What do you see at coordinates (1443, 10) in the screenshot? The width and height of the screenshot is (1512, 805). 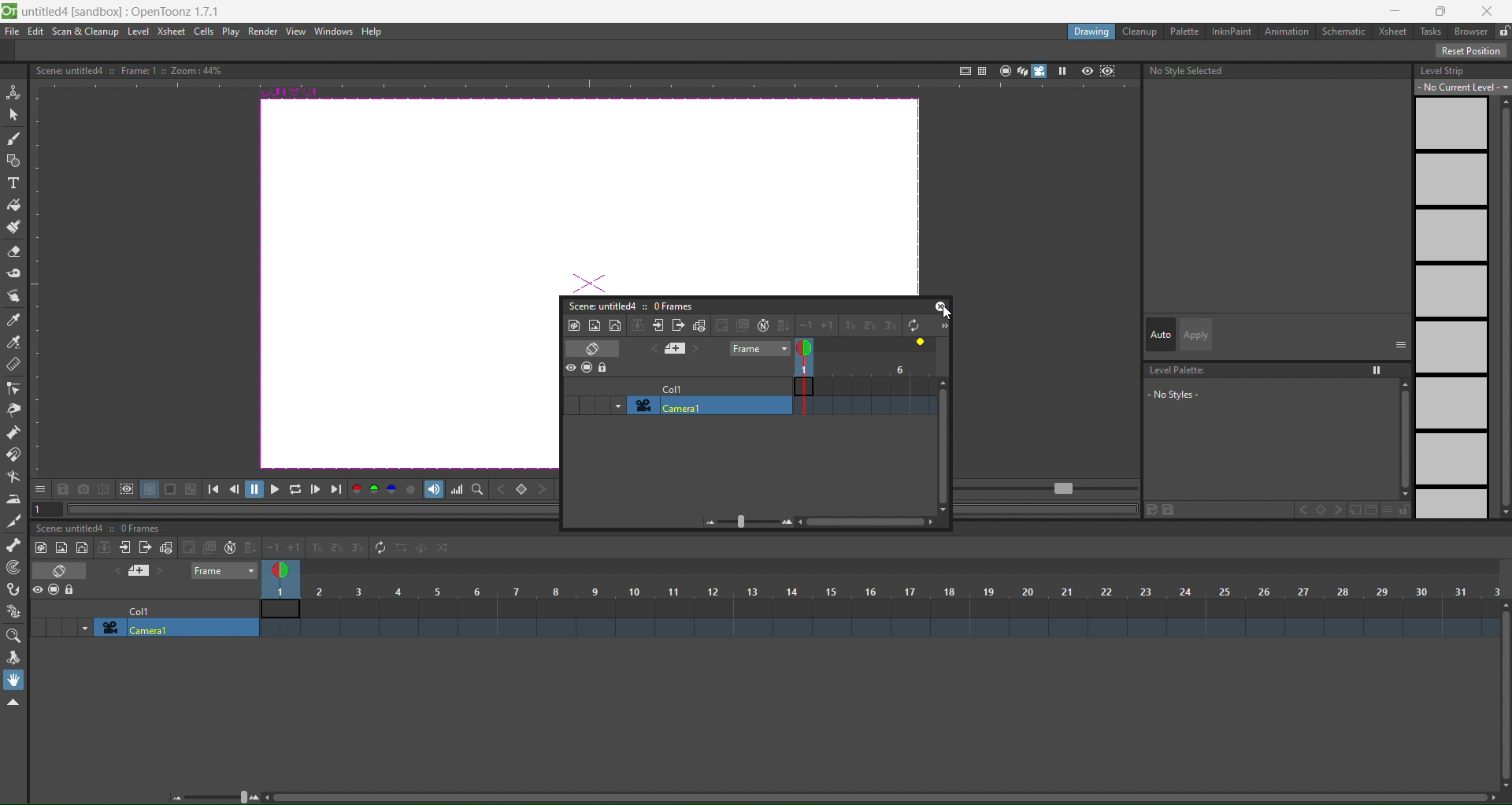 I see `maximize` at bounding box center [1443, 10].